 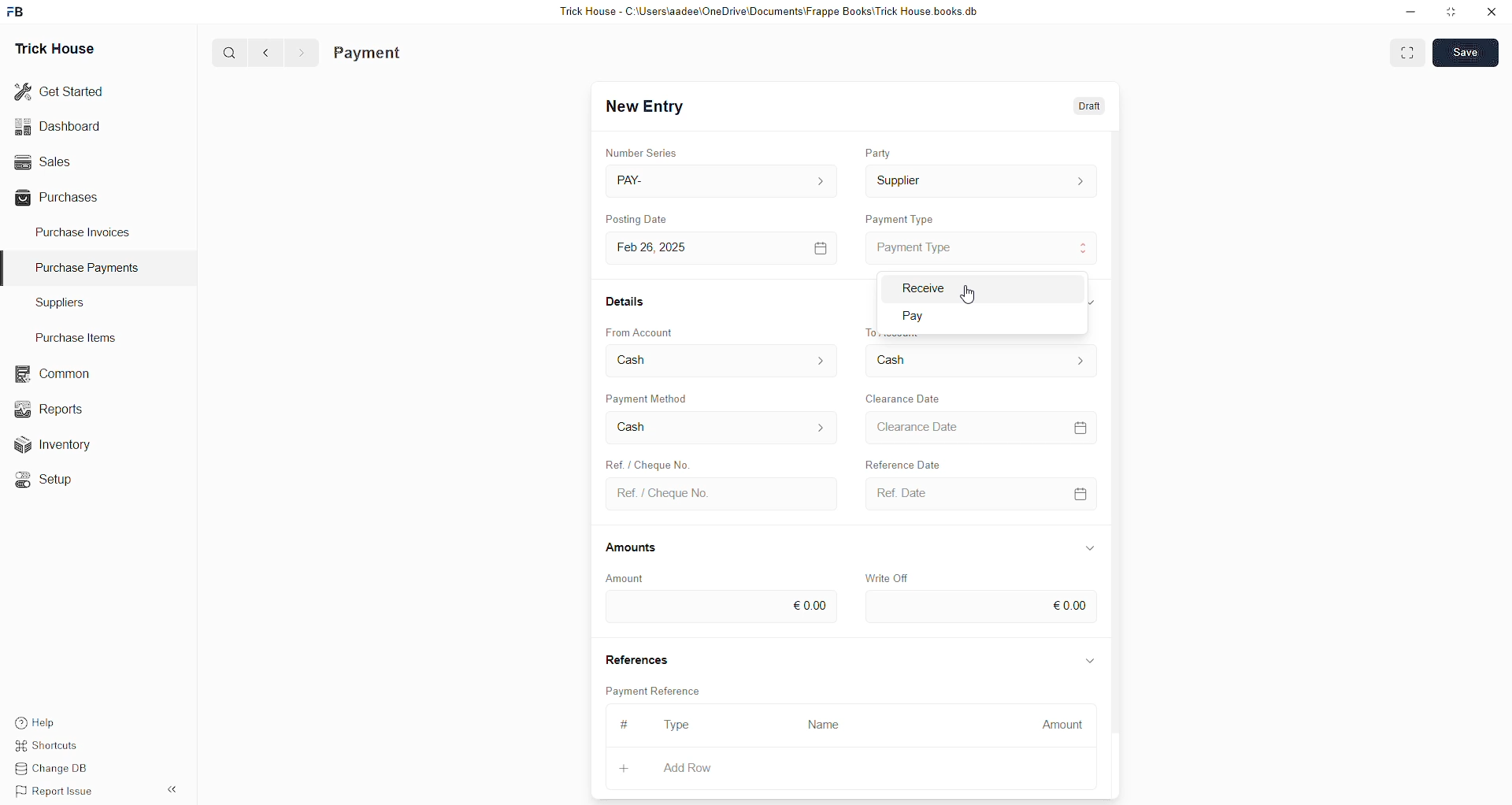 I want to click on +, so click(x=623, y=769).